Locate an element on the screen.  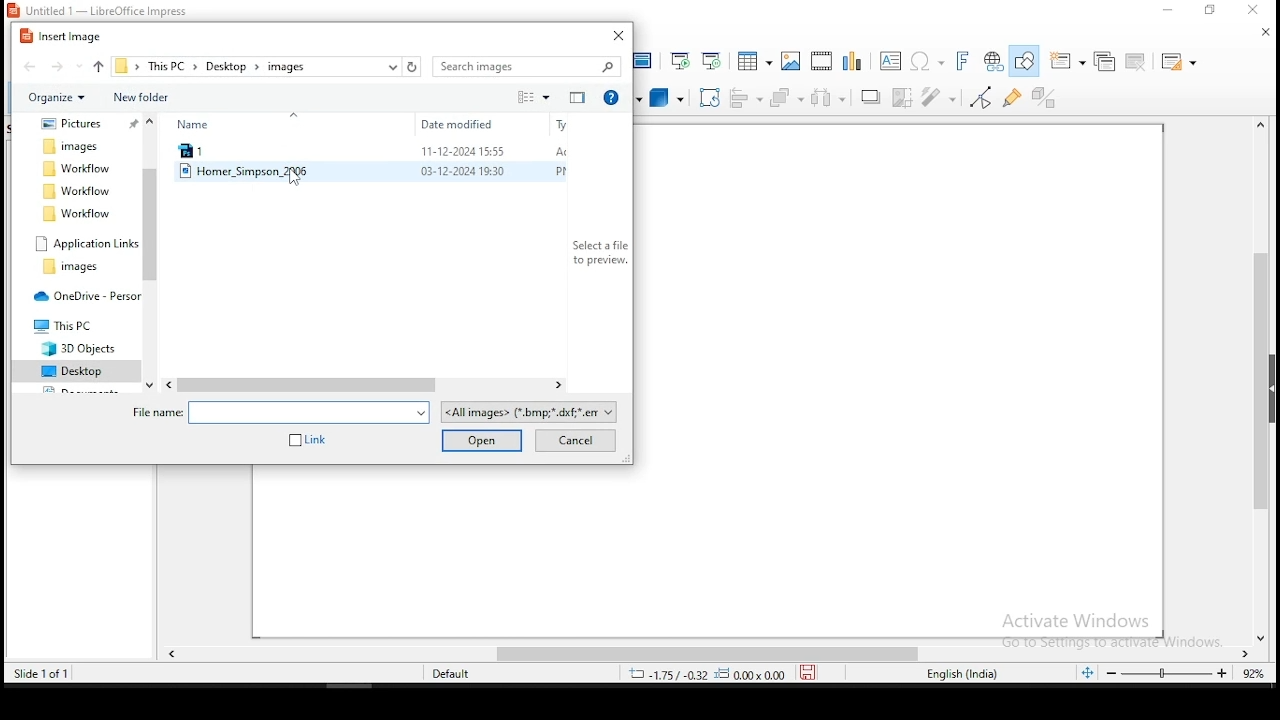
image is located at coordinates (789, 61).